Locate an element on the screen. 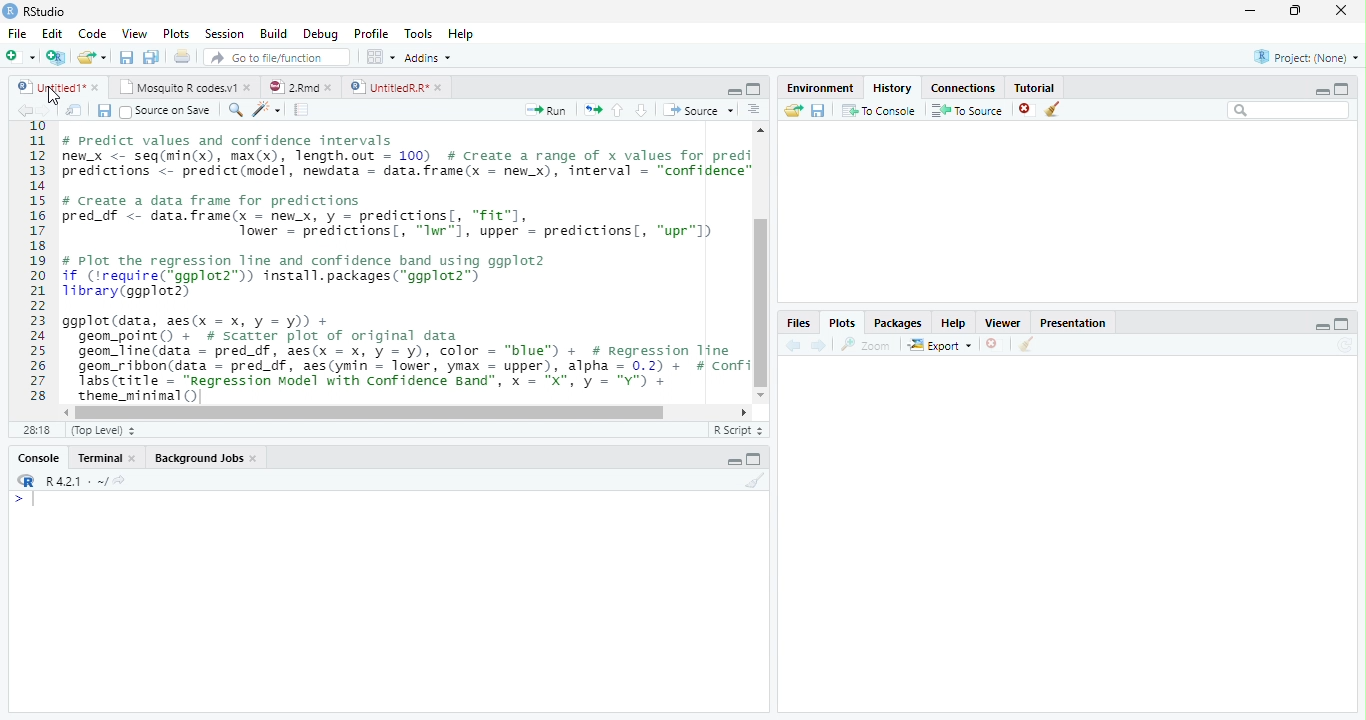 Image resolution: width=1366 pixels, height=720 pixels. Build is located at coordinates (274, 34).